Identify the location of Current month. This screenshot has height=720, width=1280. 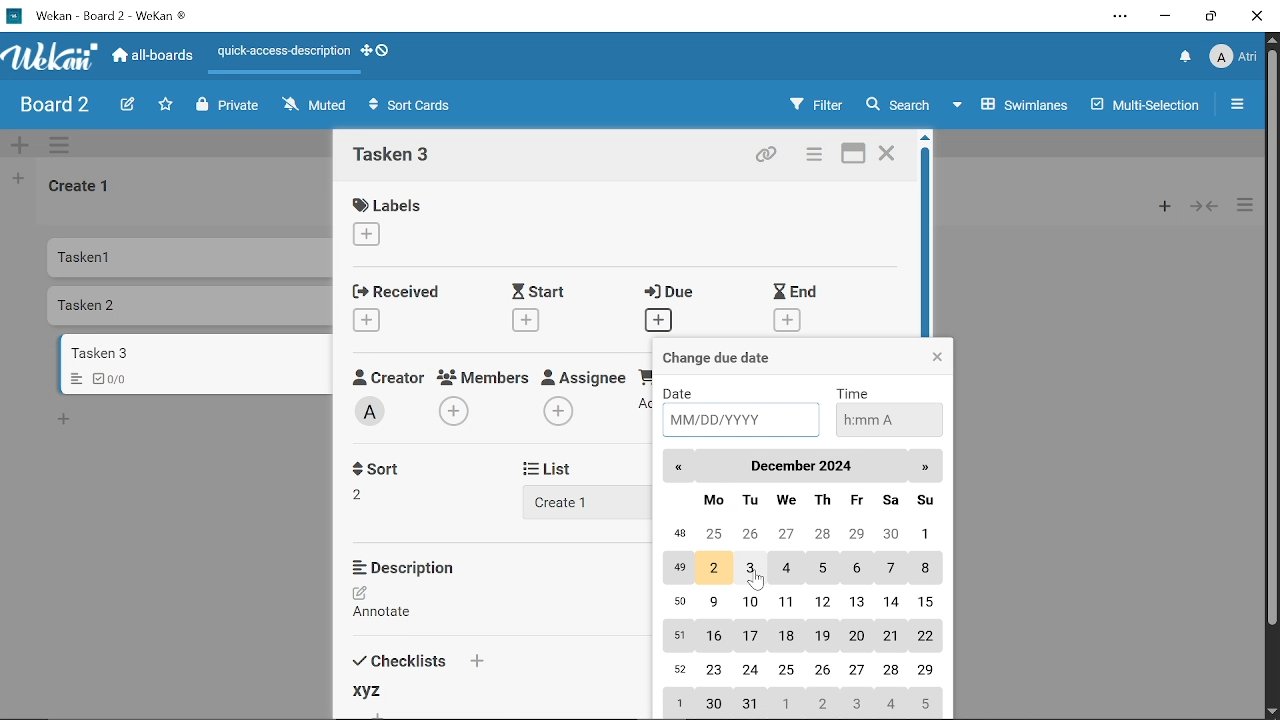
(800, 467).